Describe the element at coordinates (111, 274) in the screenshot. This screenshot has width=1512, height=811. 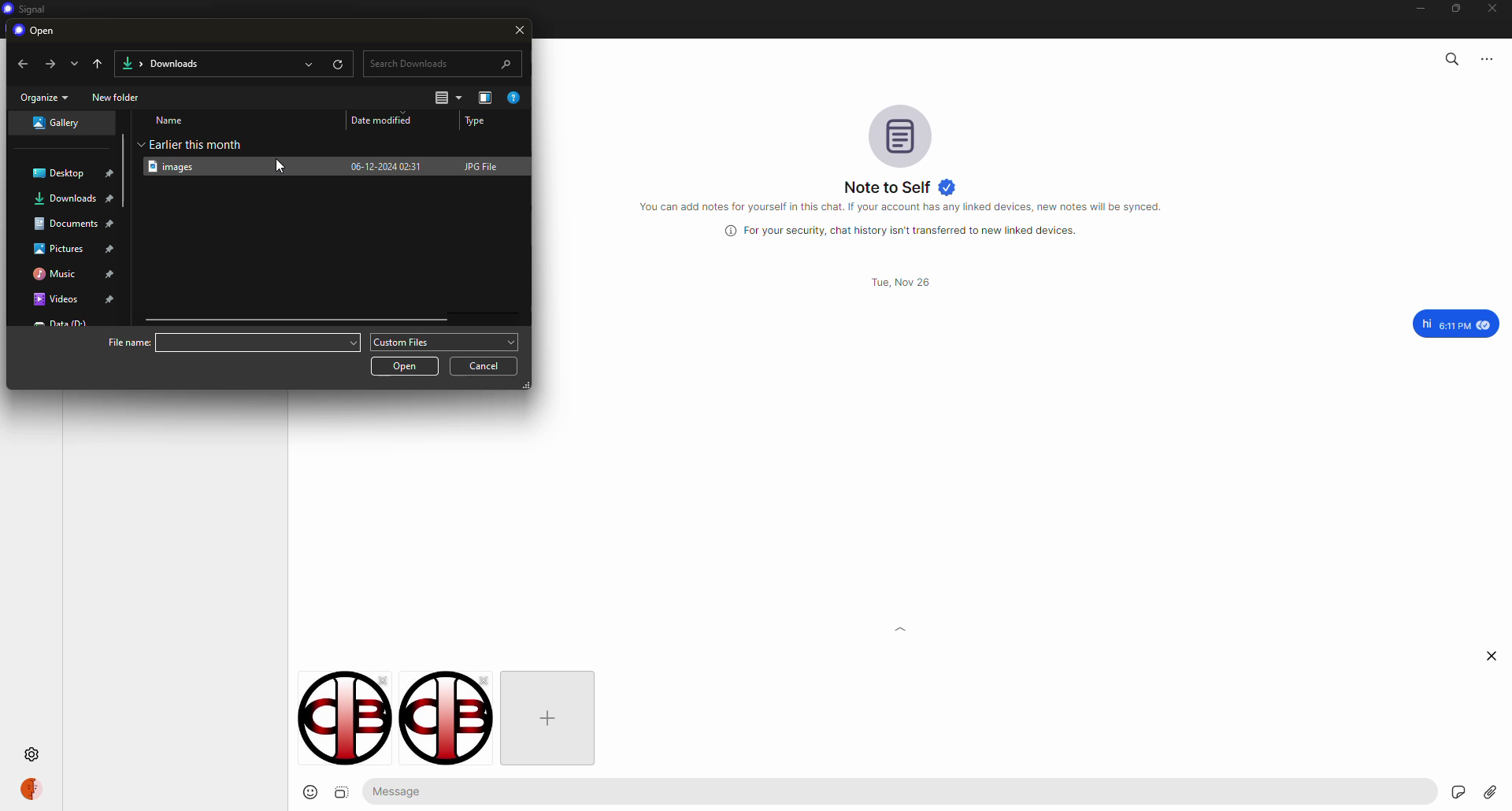
I see `pin` at that location.